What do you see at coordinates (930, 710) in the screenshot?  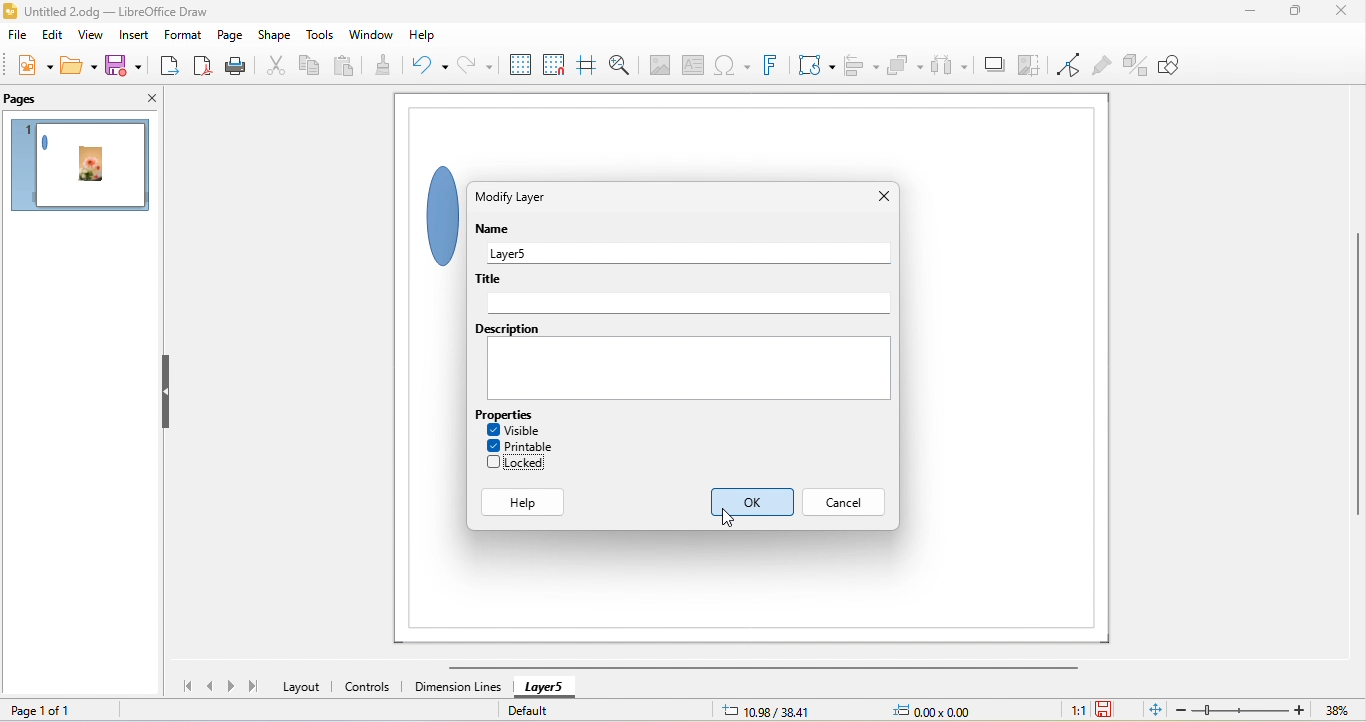 I see `0.00x0.00` at bounding box center [930, 710].